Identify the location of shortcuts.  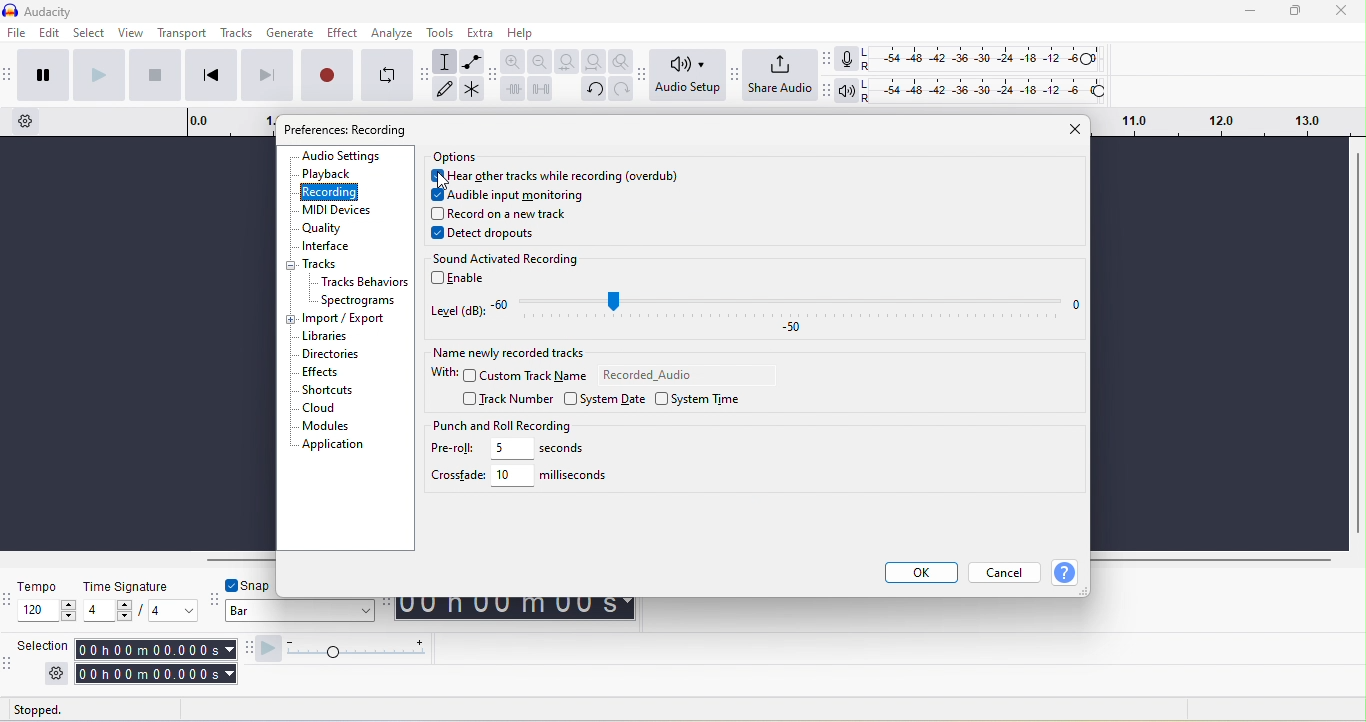
(328, 389).